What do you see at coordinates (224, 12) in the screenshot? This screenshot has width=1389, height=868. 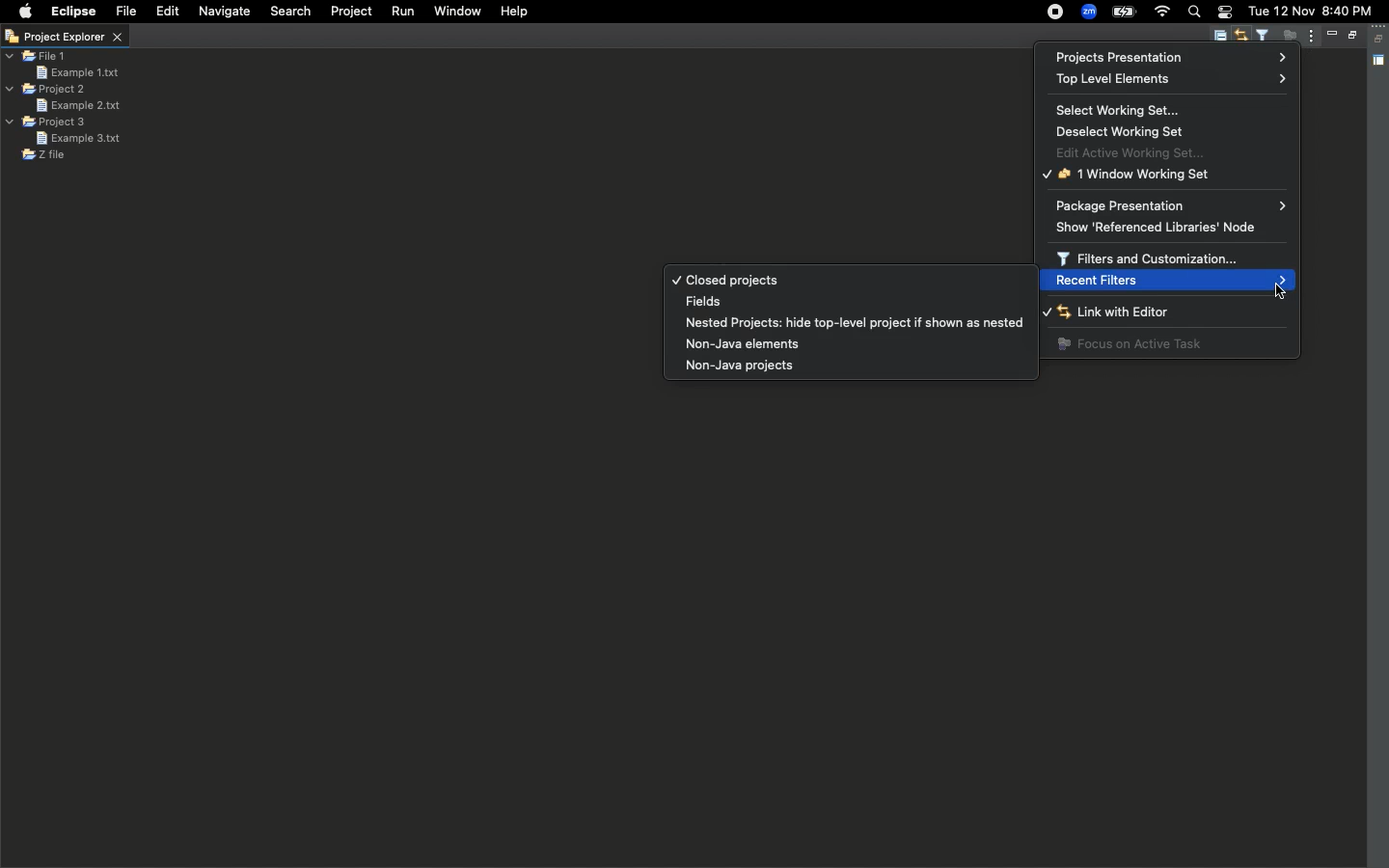 I see `Navigate` at bounding box center [224, 12].